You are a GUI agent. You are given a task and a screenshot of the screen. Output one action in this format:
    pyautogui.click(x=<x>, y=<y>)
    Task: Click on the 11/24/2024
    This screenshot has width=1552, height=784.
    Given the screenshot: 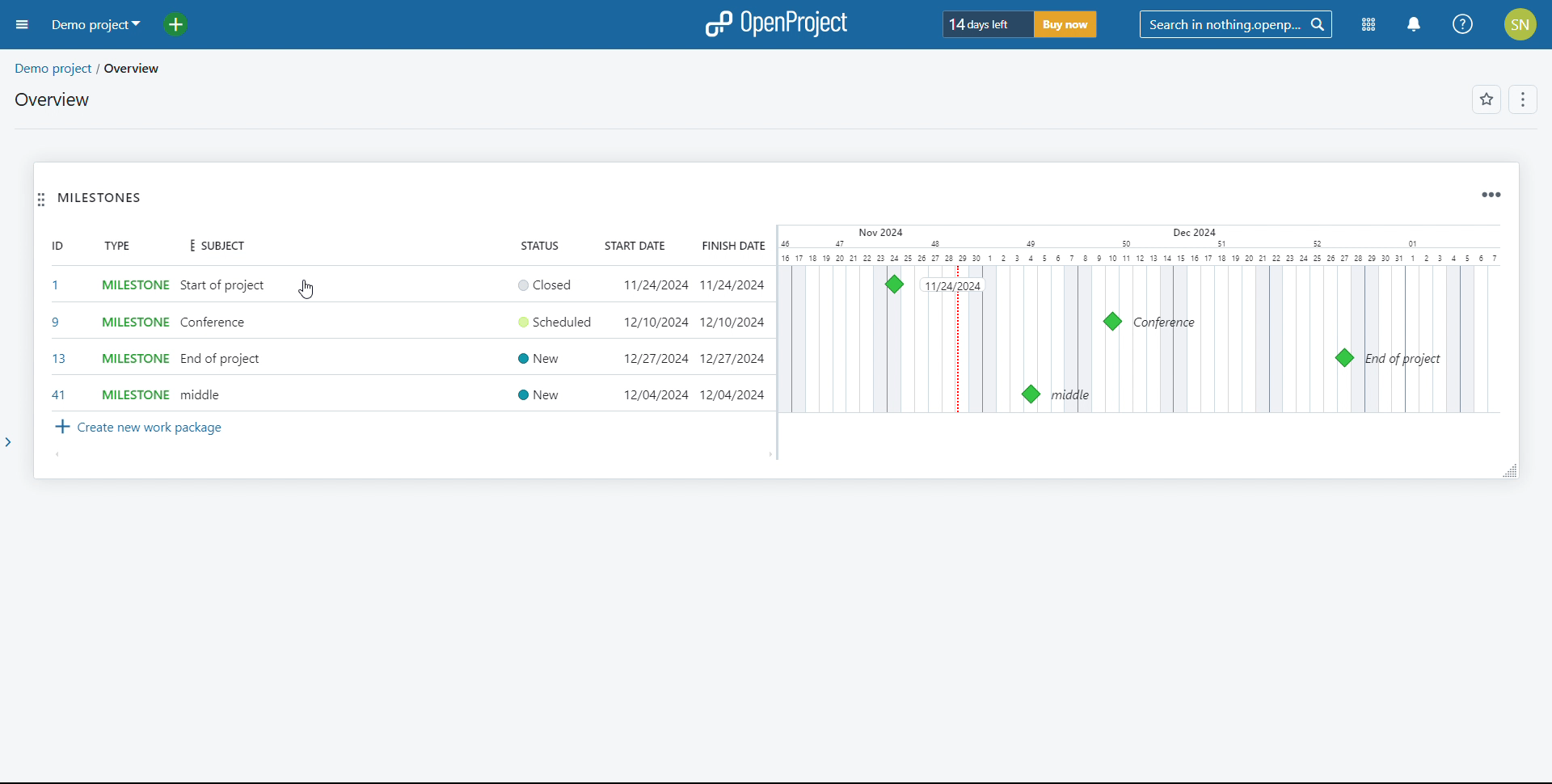 What is the action you would take?
    pyautogui.click(x=733, y=282)
    